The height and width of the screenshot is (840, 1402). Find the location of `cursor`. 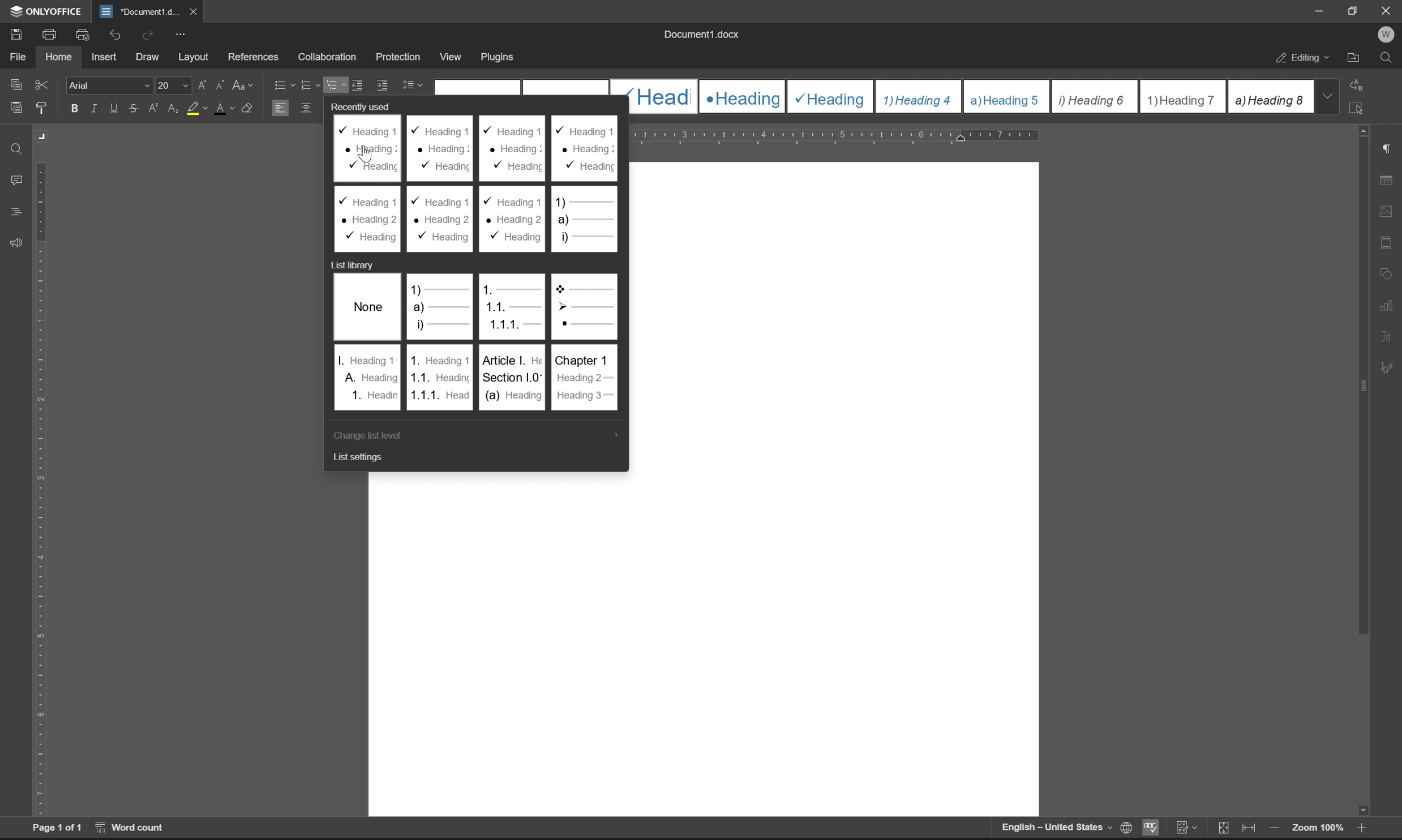

cursor is located at coordinates (336, 85).